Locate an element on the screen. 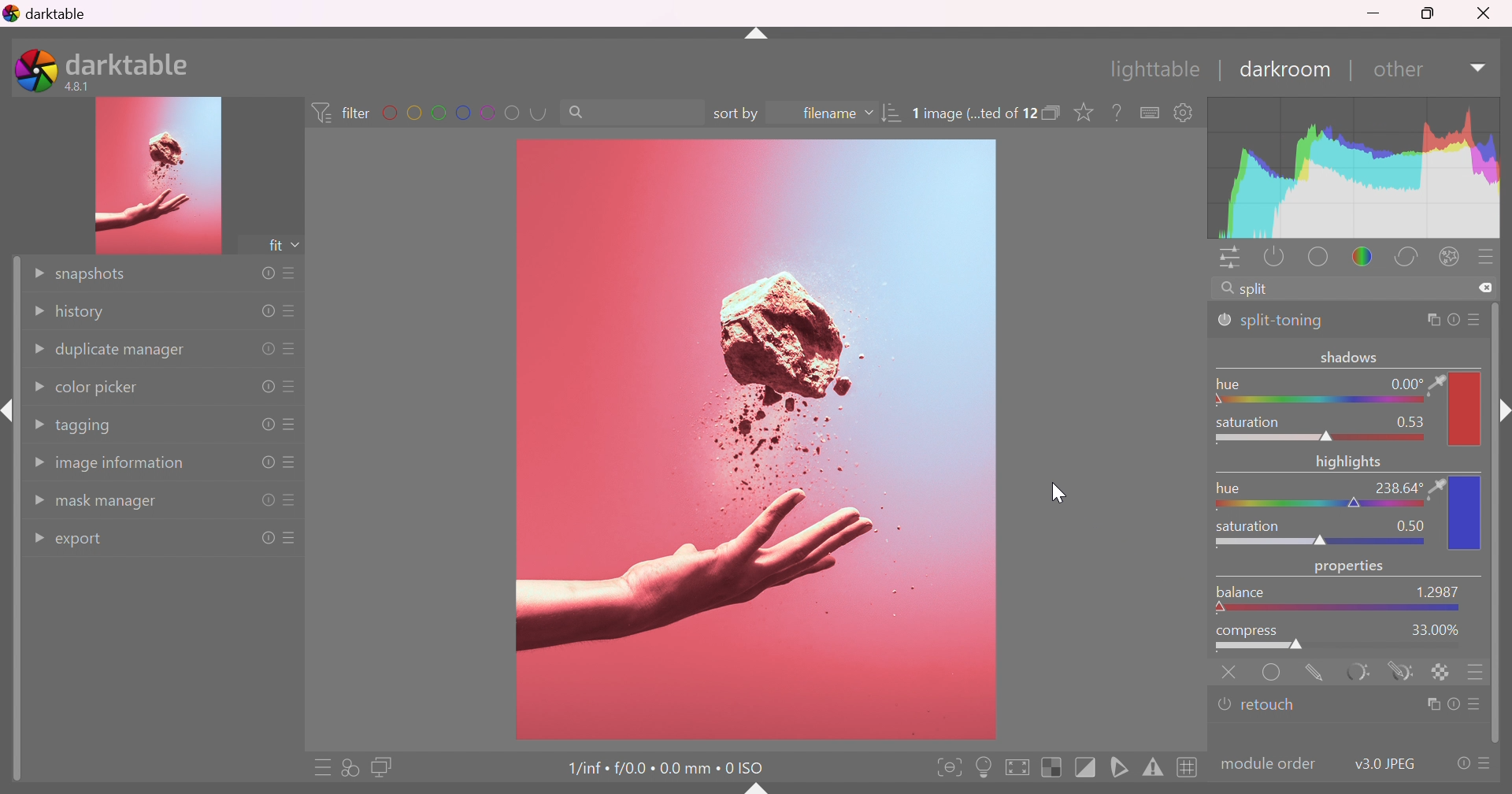 The width and height of the screenshot is (1512, 794). darktable is located at coordinates (35, 69).